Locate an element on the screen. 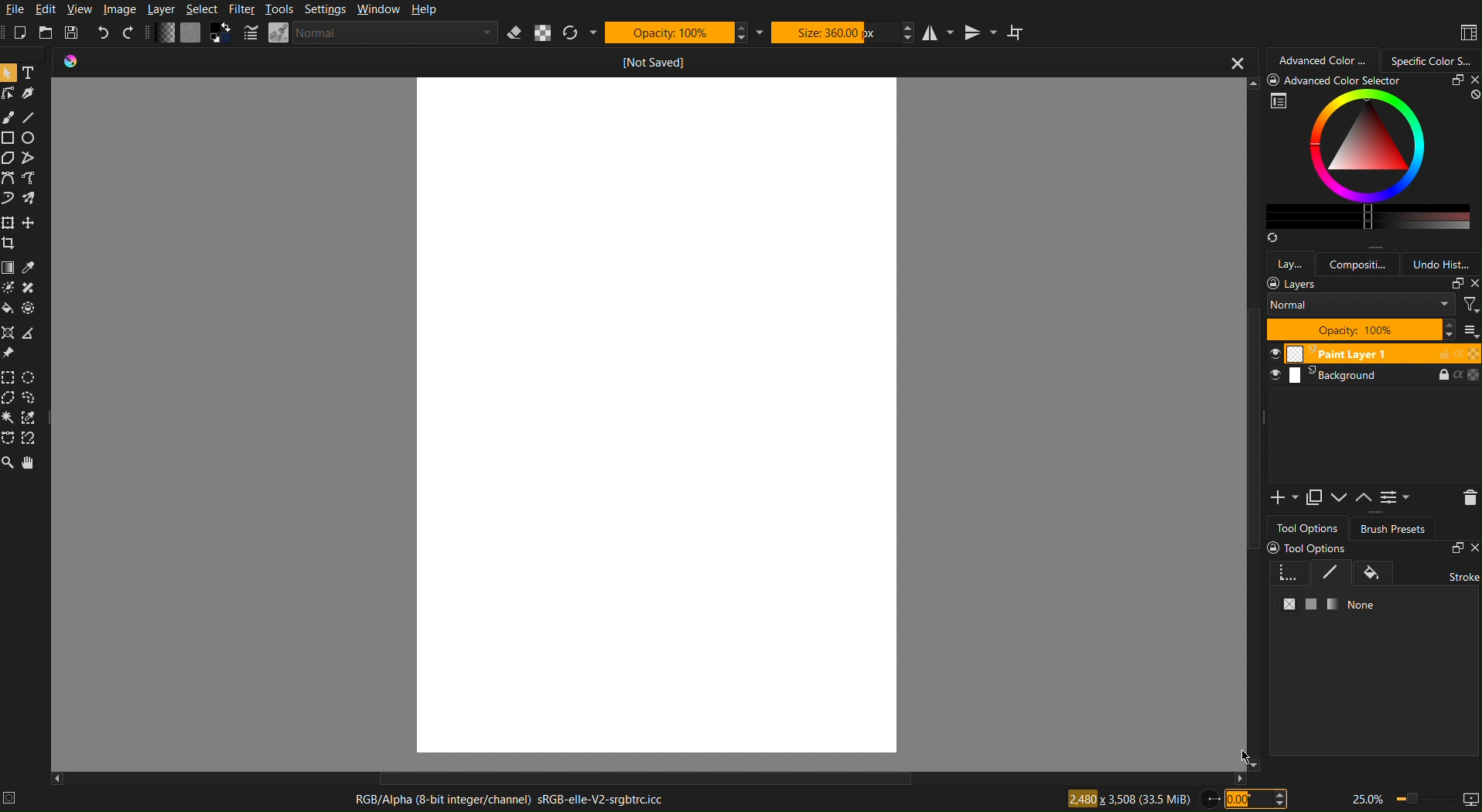 This screenshot has height=812, width=1482. Color Settings is located at coordinates (193, 34).